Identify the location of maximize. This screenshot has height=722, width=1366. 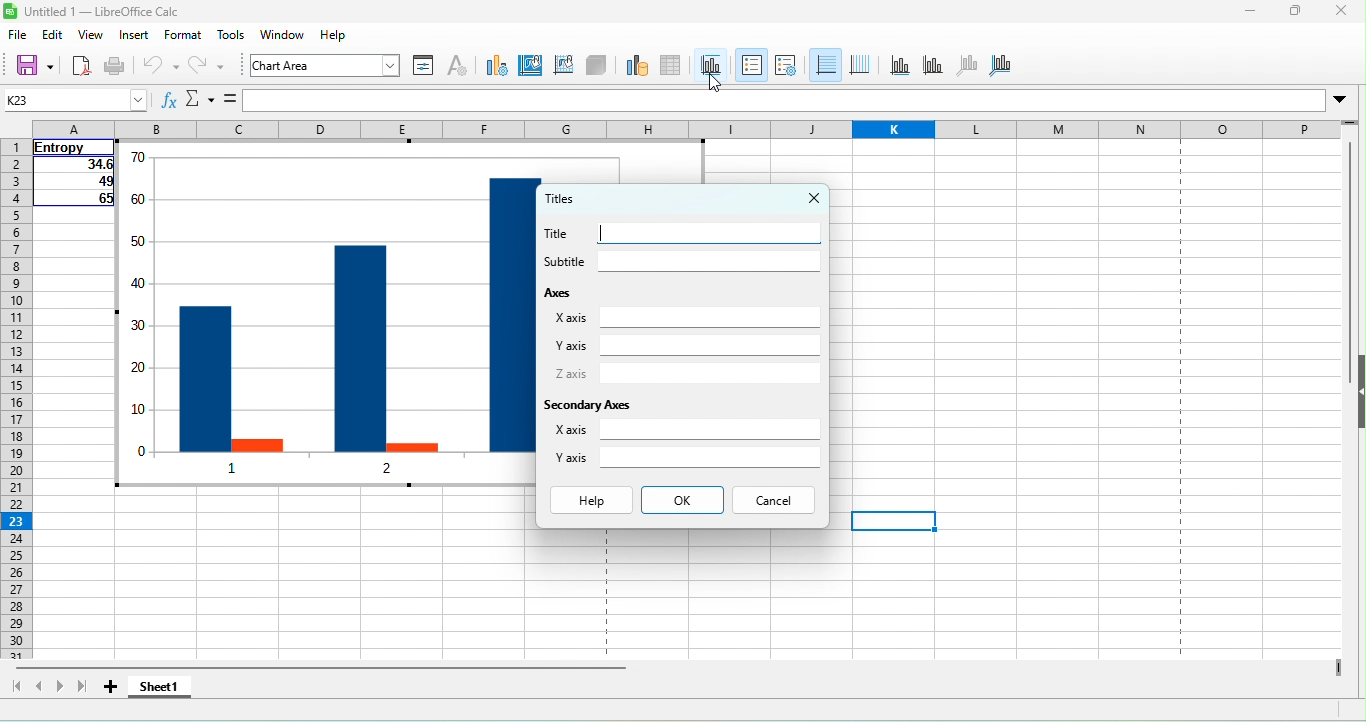
(1299, 10).